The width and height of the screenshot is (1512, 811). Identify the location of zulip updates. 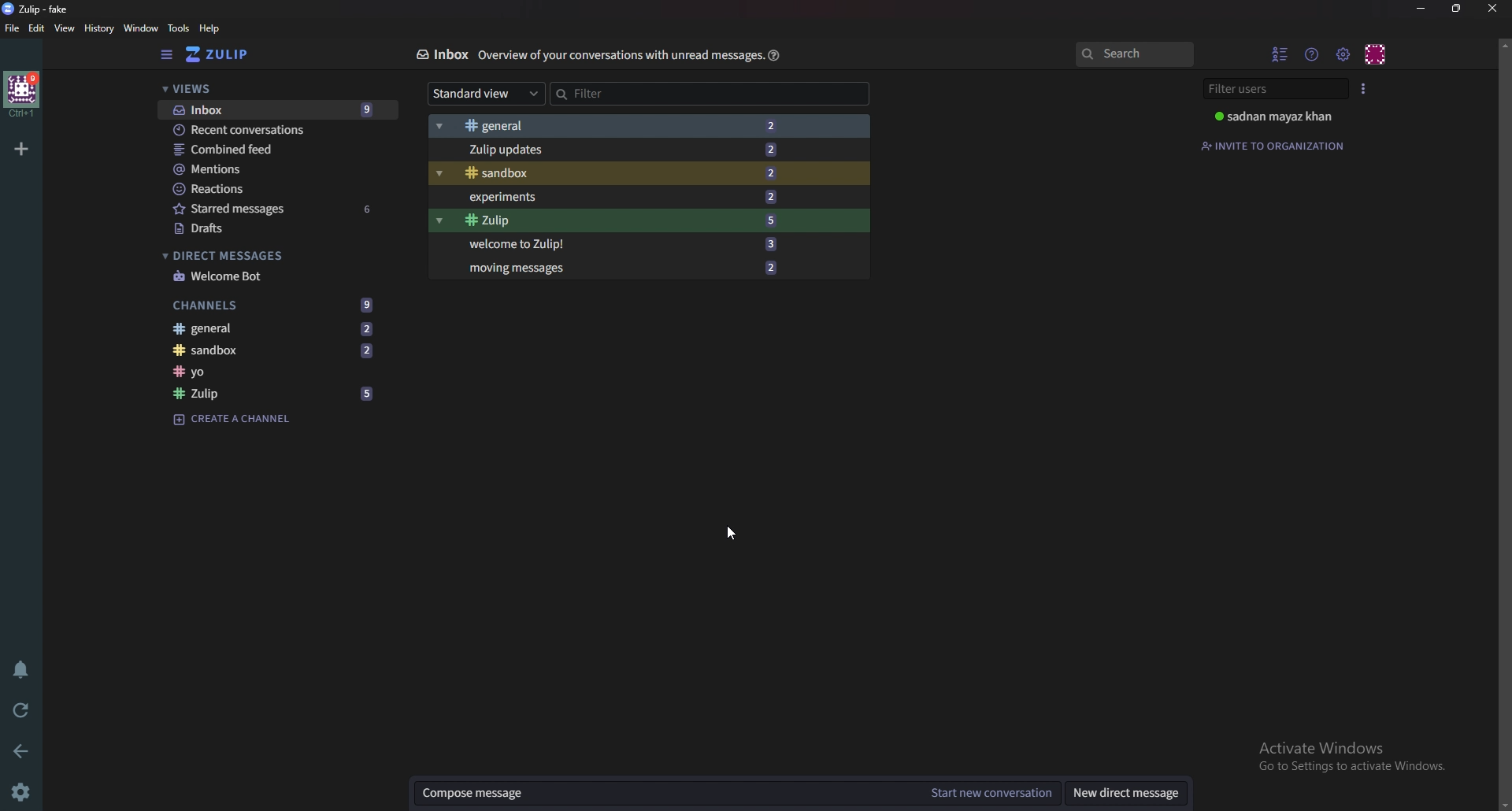
(629, 150).